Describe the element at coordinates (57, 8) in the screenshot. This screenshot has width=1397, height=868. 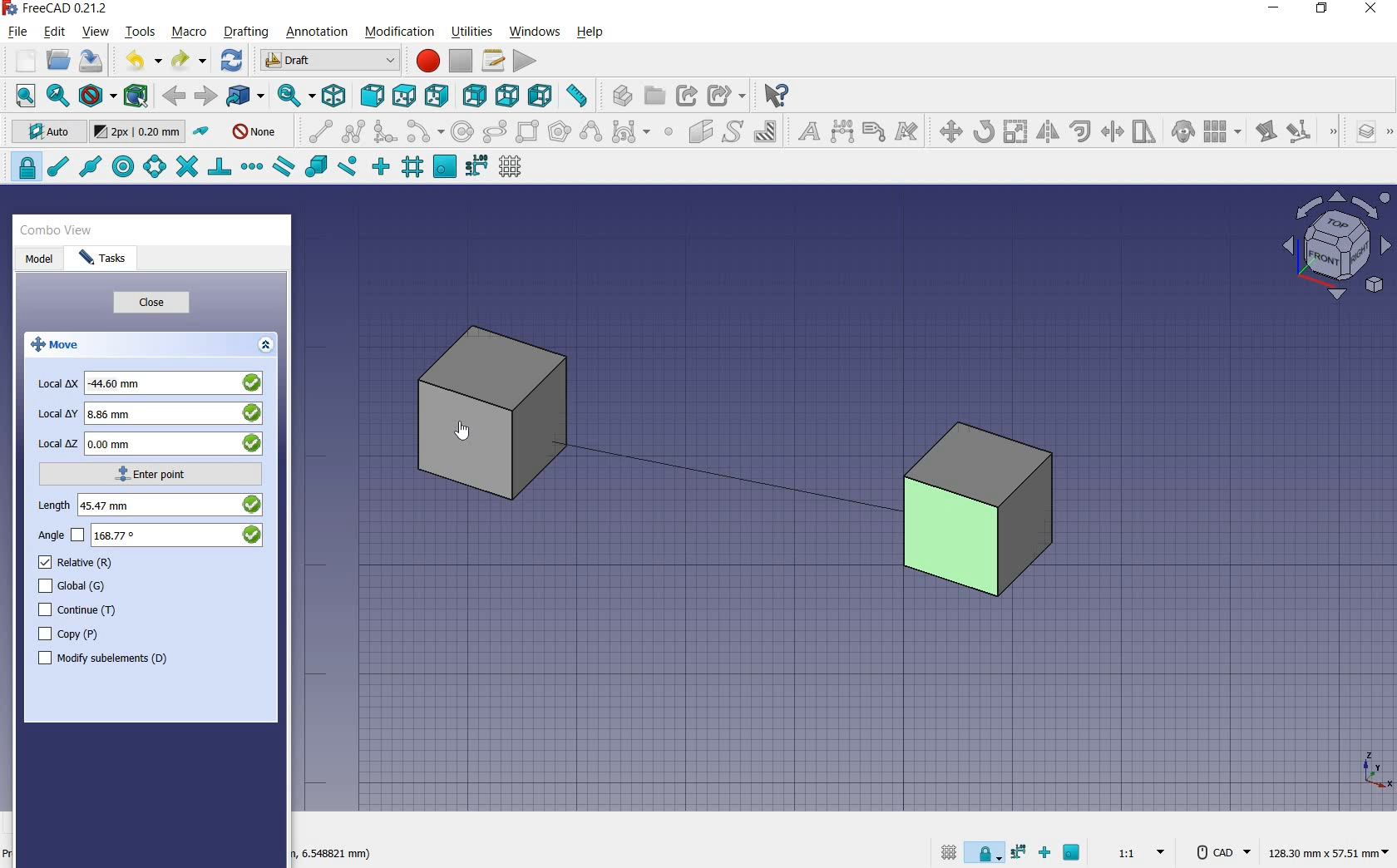
I see `system name` at that location.